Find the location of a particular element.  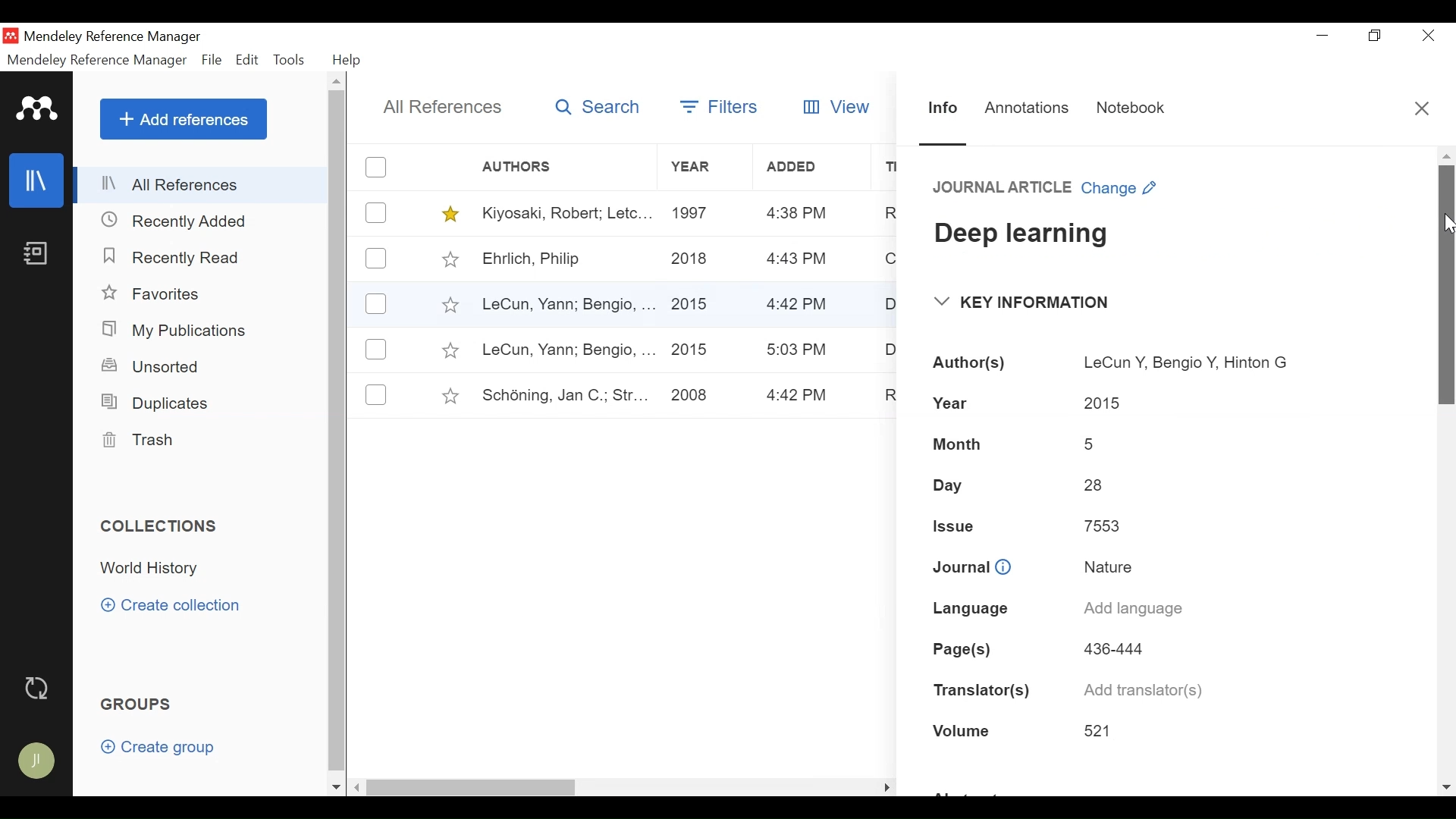

Journal is located at coordinates (972, 566).